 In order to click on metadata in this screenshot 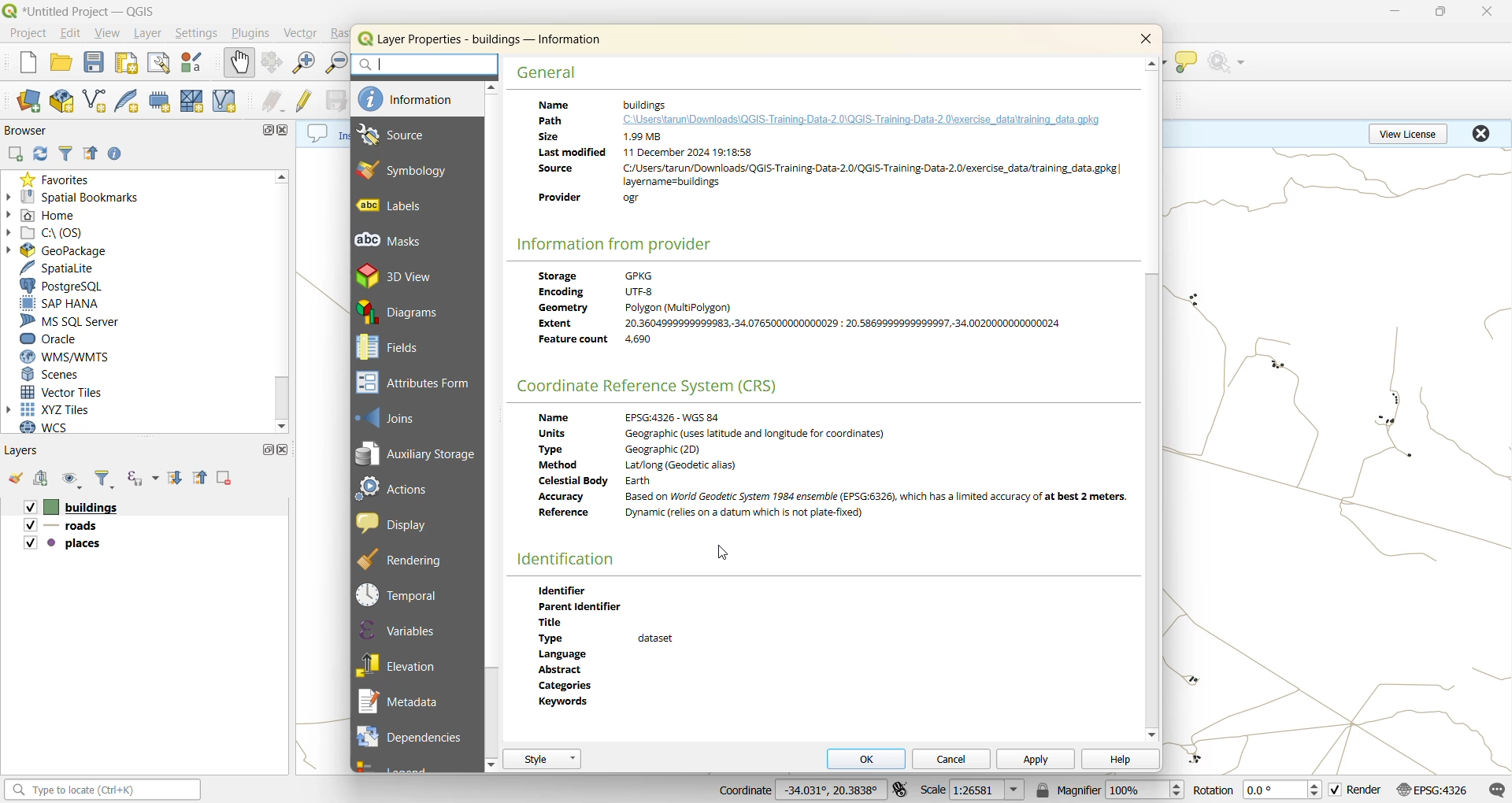, I will do `click(828, 176)`.